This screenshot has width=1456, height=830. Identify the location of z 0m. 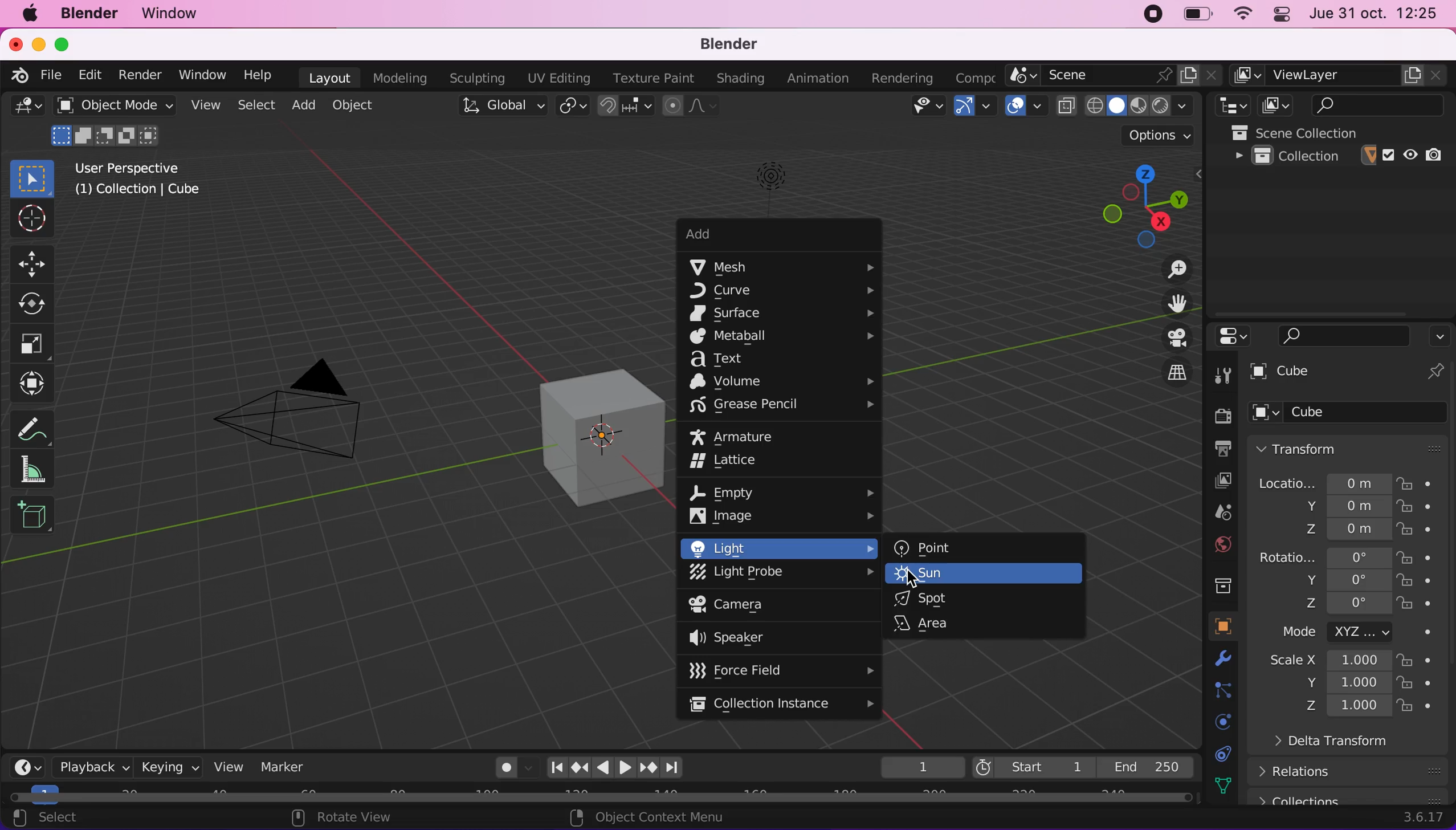
(1343, 530).